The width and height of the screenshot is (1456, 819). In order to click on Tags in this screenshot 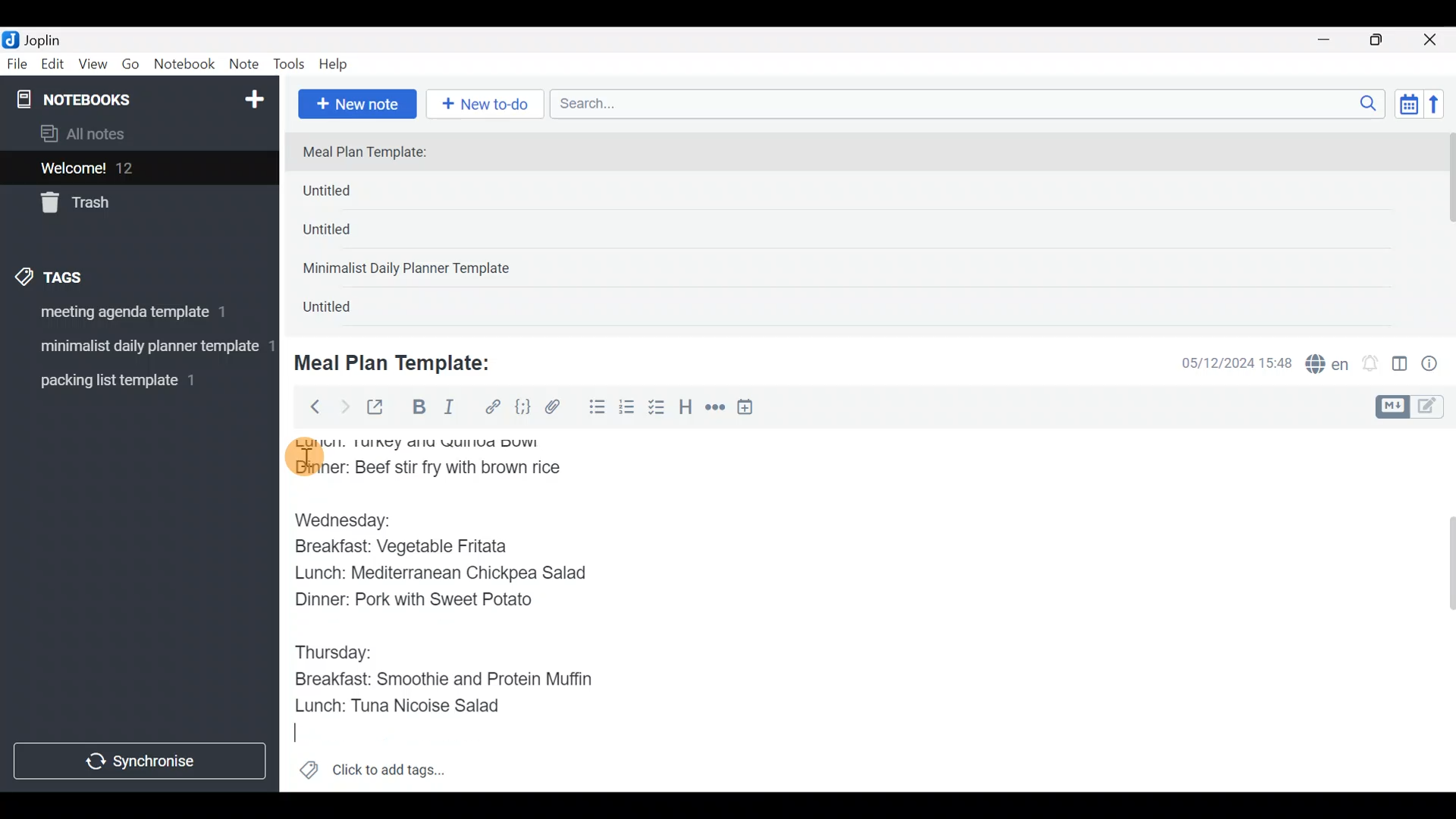, I will do `click(85, 275)`.